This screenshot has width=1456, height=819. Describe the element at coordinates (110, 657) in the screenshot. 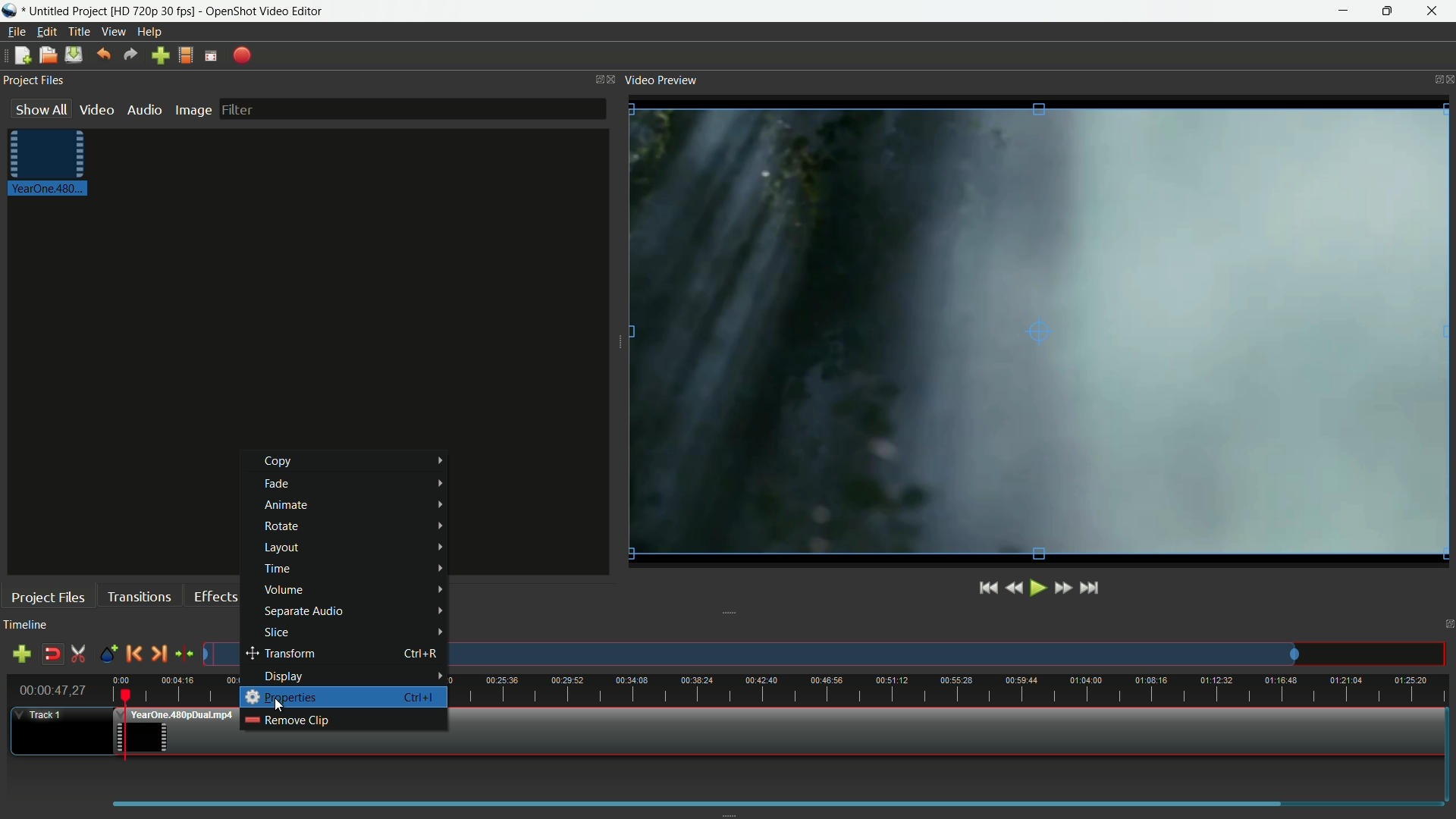

I see `create marker` at that location.